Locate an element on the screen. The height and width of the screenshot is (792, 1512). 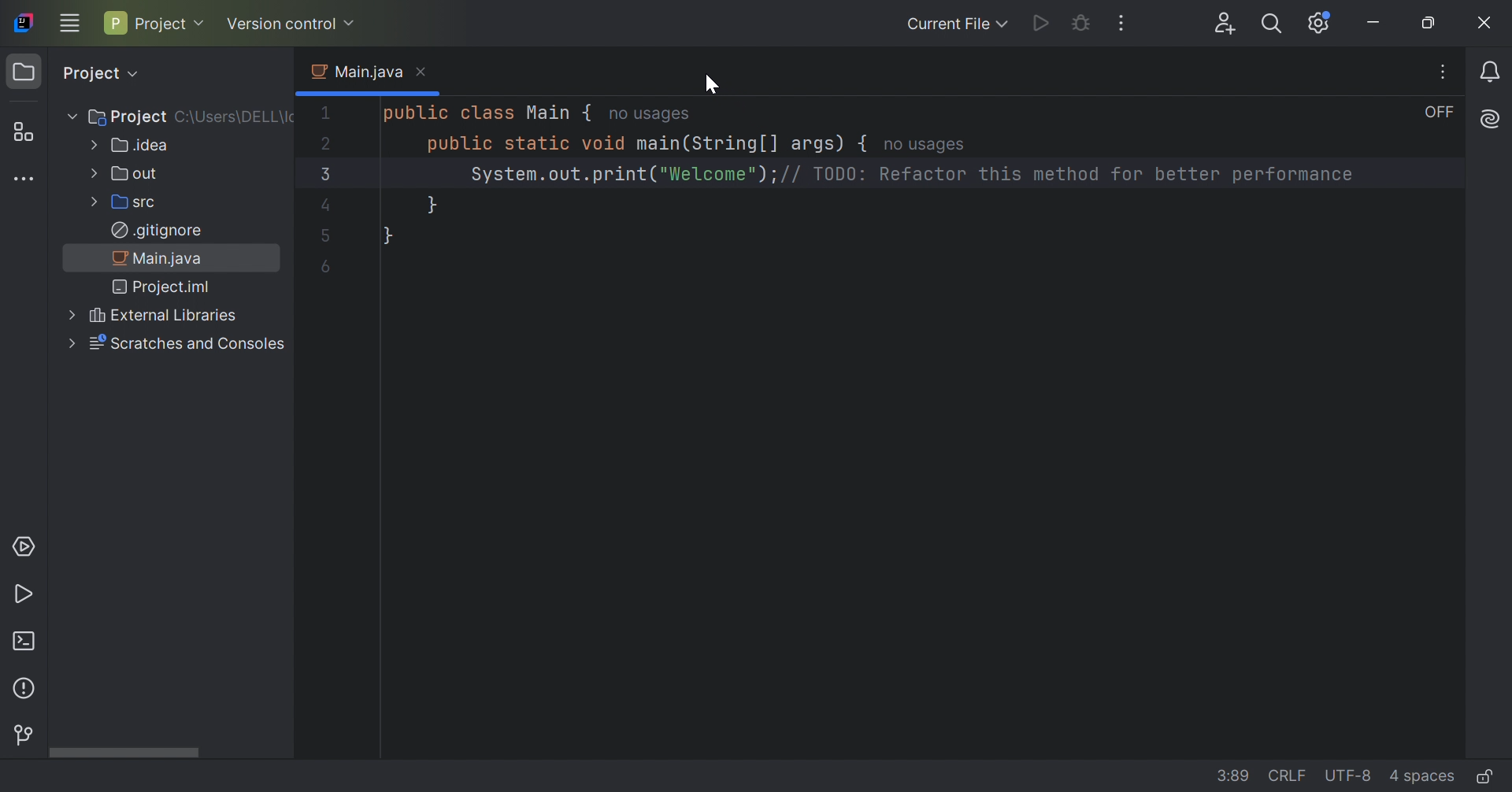
Notifications is located at coordinates (1492, 73).